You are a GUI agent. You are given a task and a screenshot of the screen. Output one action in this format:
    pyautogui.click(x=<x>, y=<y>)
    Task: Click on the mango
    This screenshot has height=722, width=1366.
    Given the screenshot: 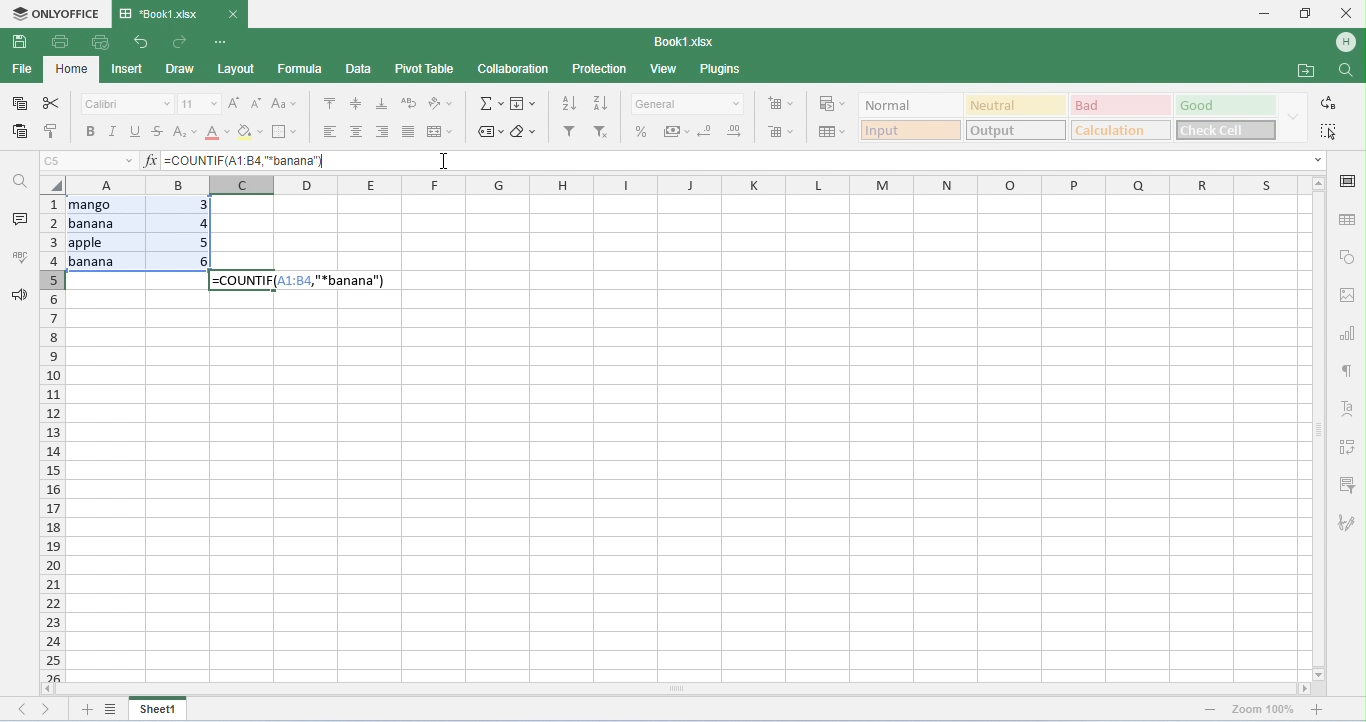 What is the action you would take?
    pyautogui.click(x=105, y=205)
    